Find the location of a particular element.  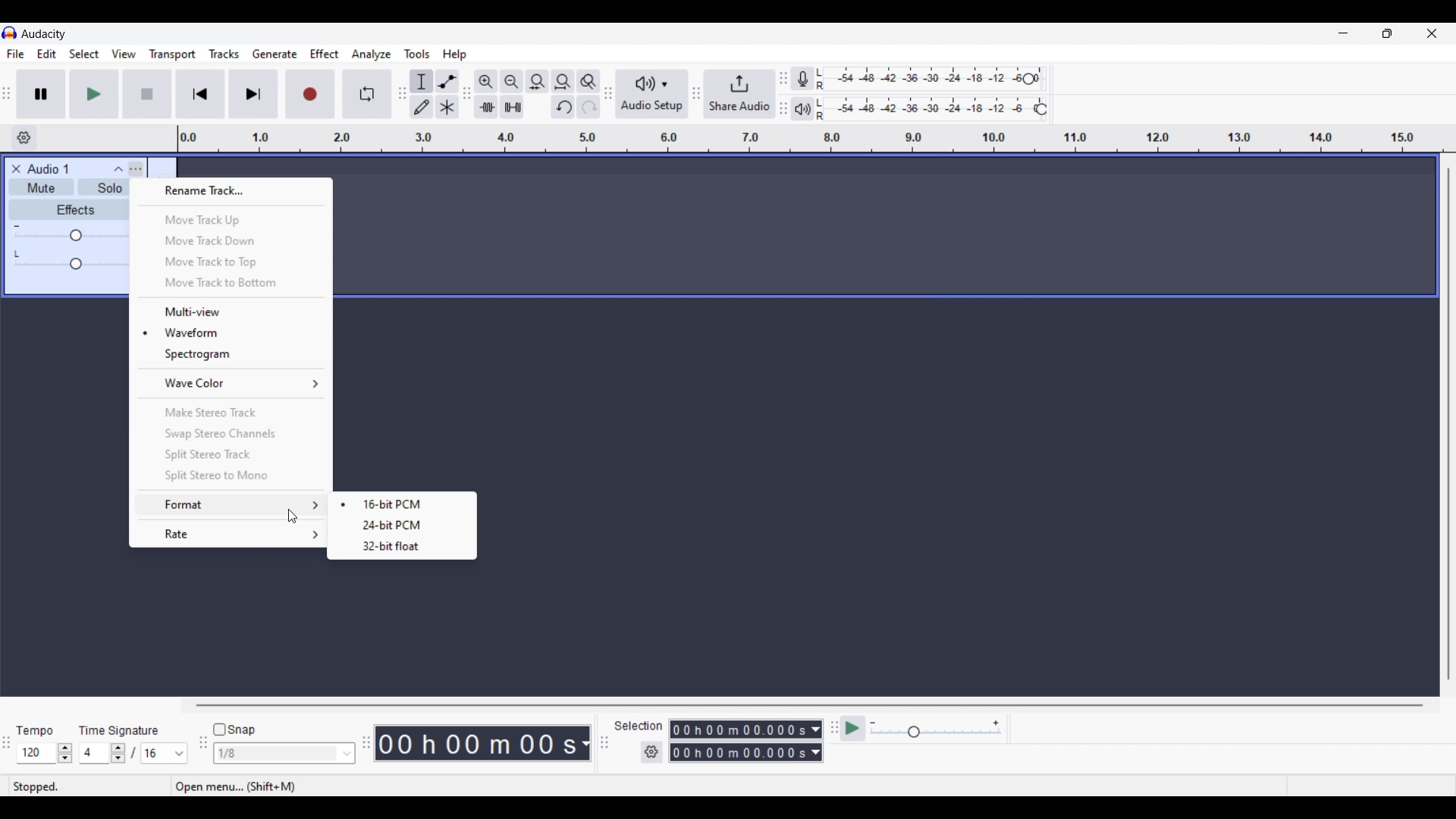

Edit menu is located at coordinates (47, 55).